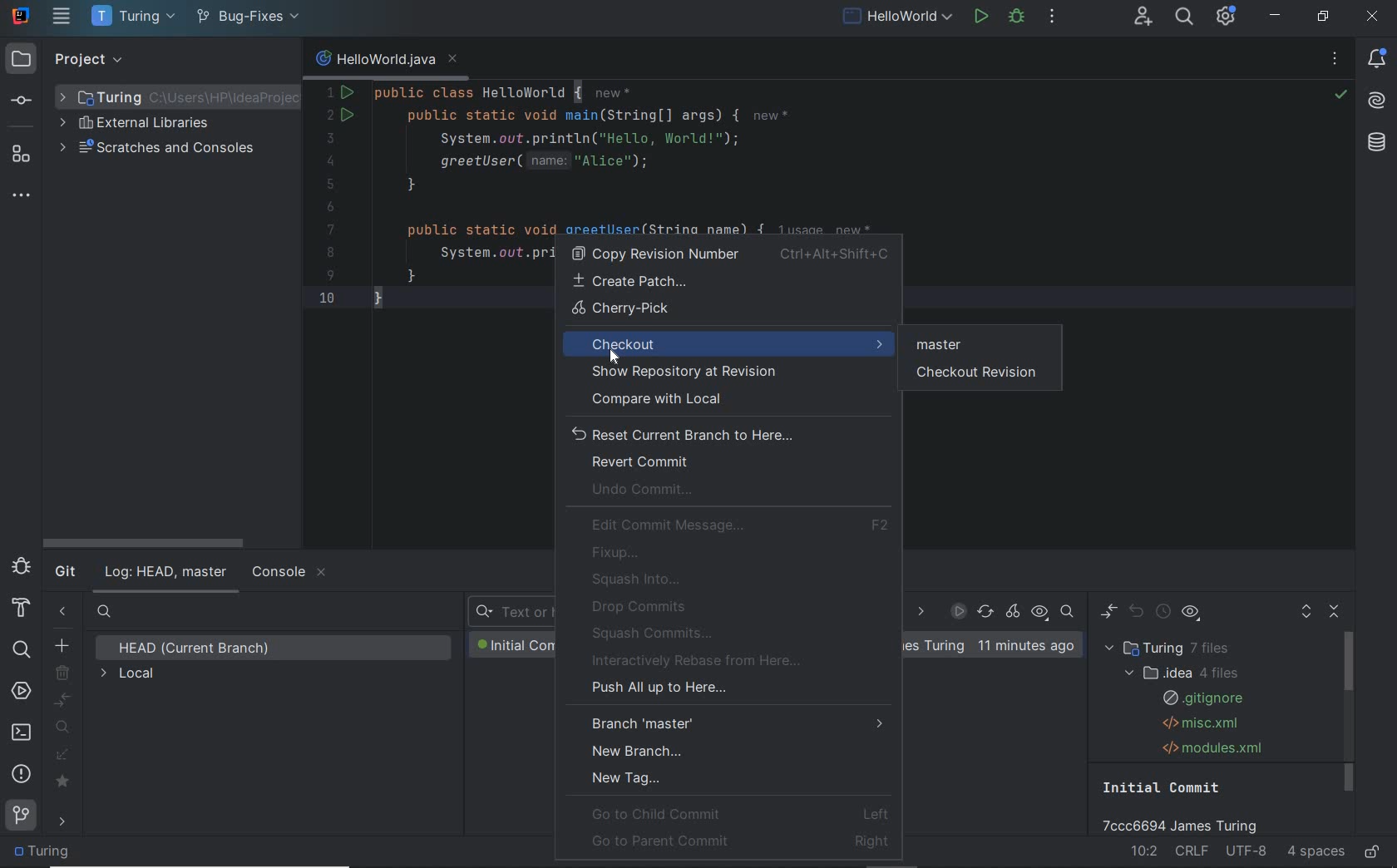  I want to click on select opened file, so click(170, 61).